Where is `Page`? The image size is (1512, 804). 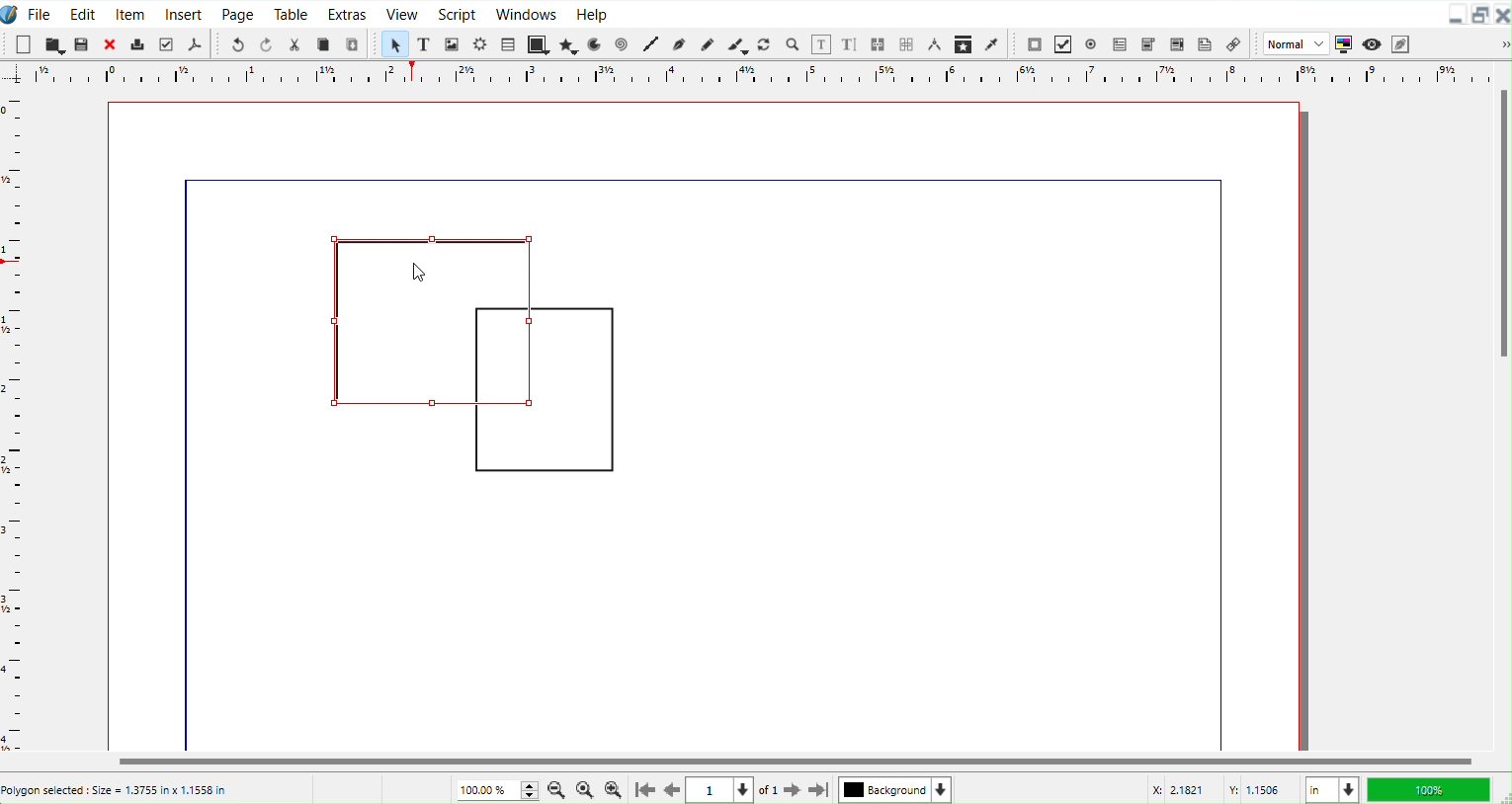 Page is located at coordinates (236, 13).